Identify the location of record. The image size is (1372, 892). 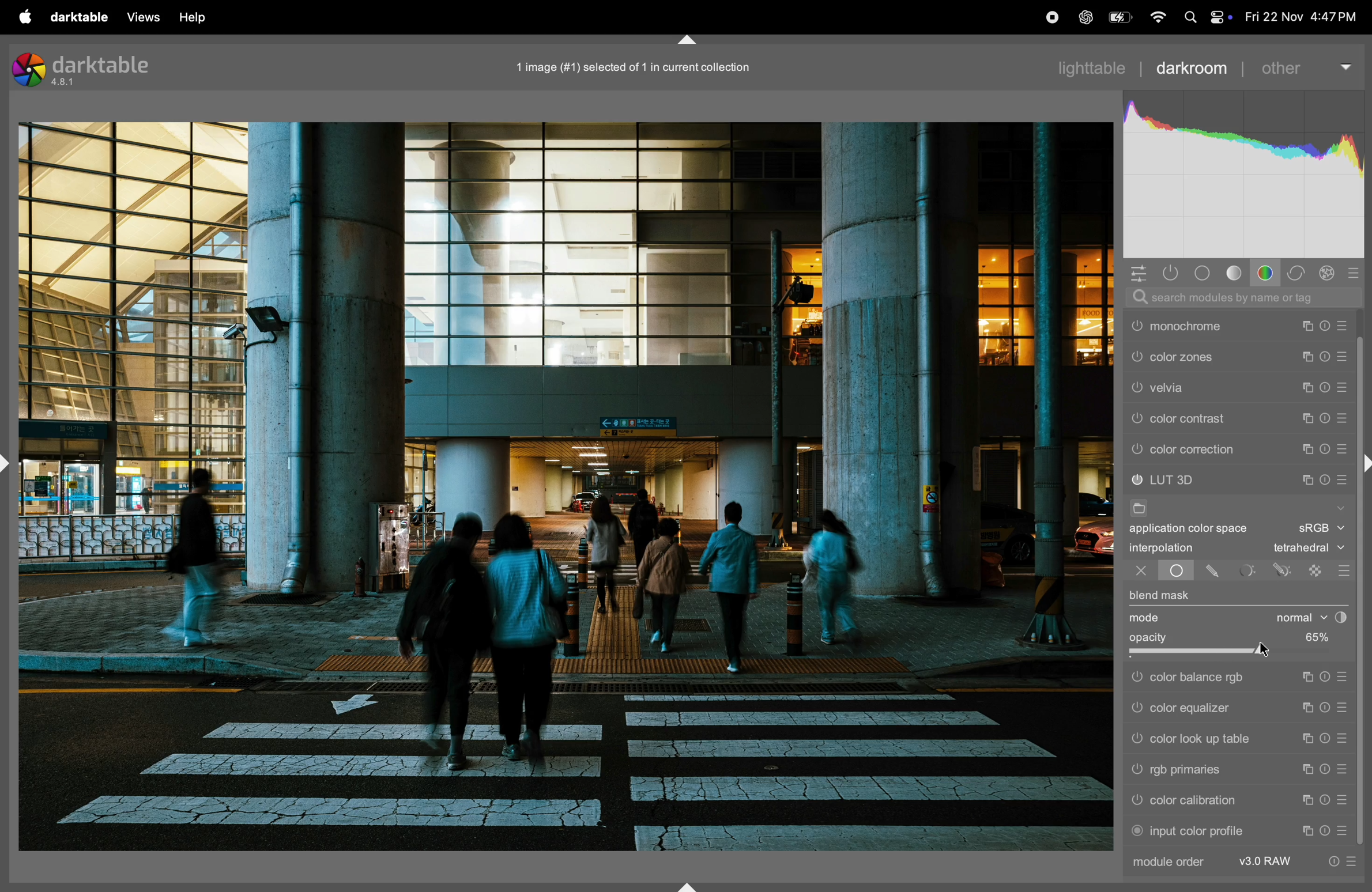
(1047, 17).